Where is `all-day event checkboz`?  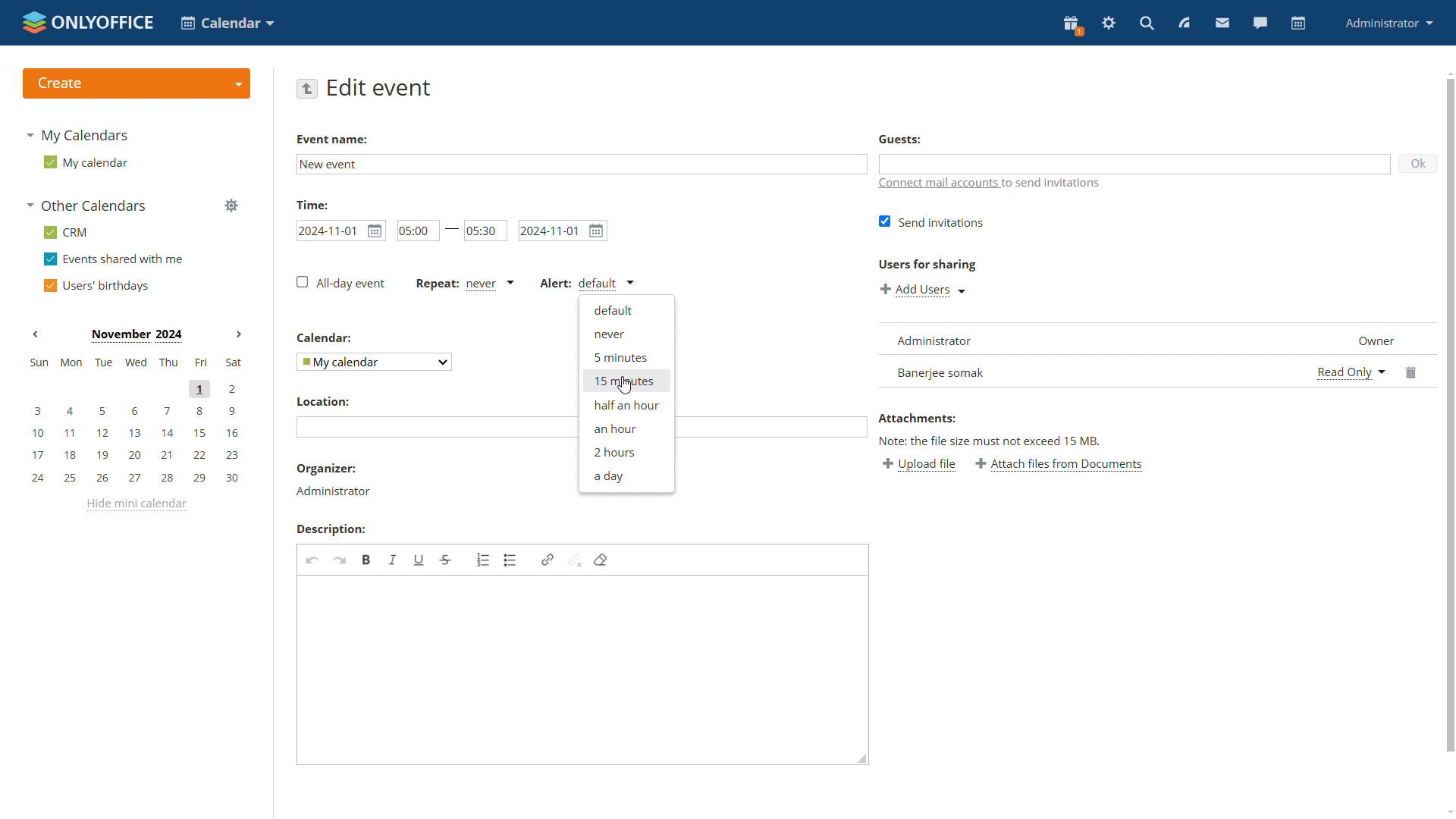
all-day event checkboz is located at coordinates (340, 282).